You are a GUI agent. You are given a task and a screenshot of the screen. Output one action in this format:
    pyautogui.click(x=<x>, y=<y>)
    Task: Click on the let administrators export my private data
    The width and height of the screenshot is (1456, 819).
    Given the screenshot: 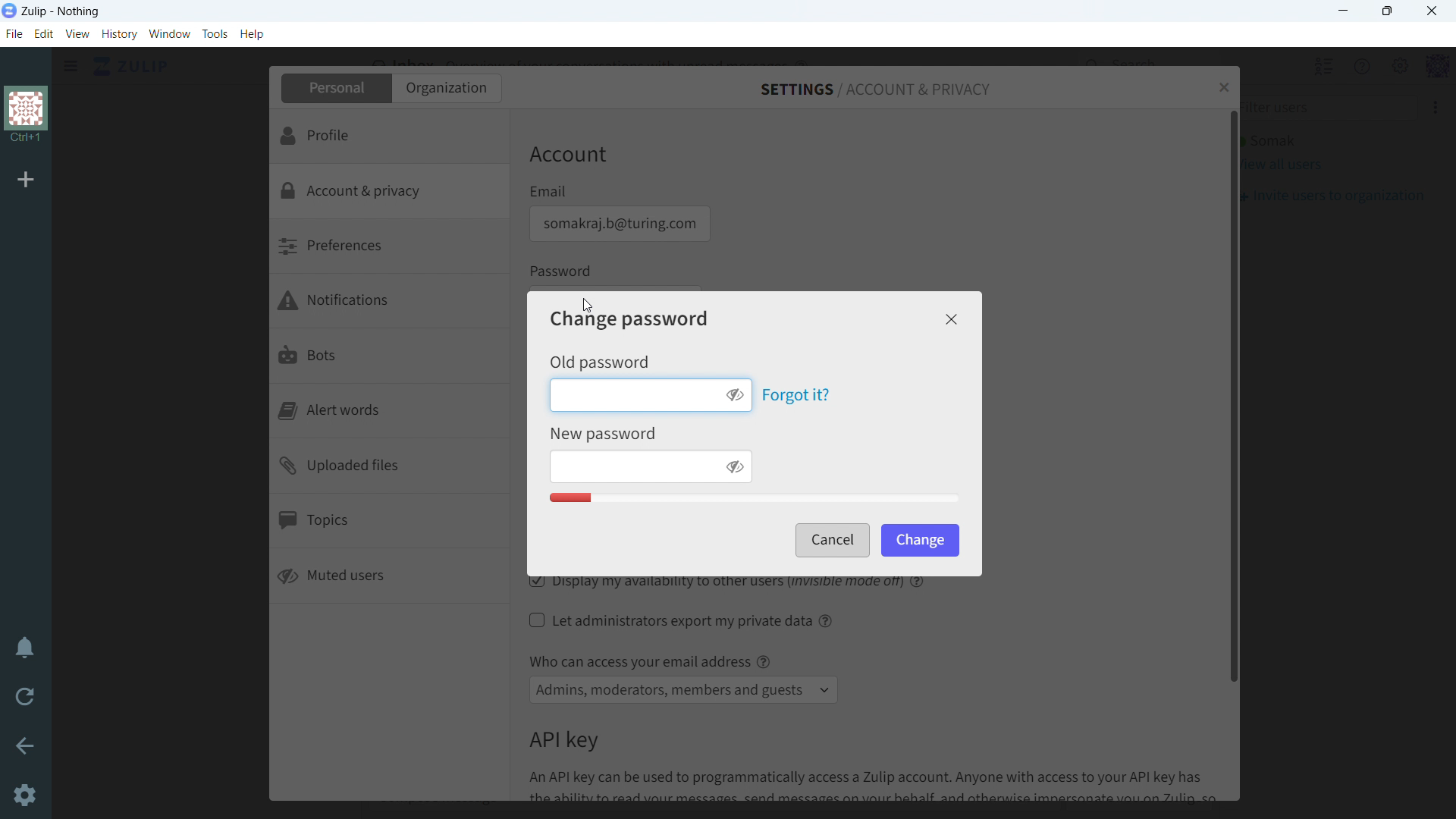 What is the action you would take?
    pyautogui.click(x=670, y=620)
    